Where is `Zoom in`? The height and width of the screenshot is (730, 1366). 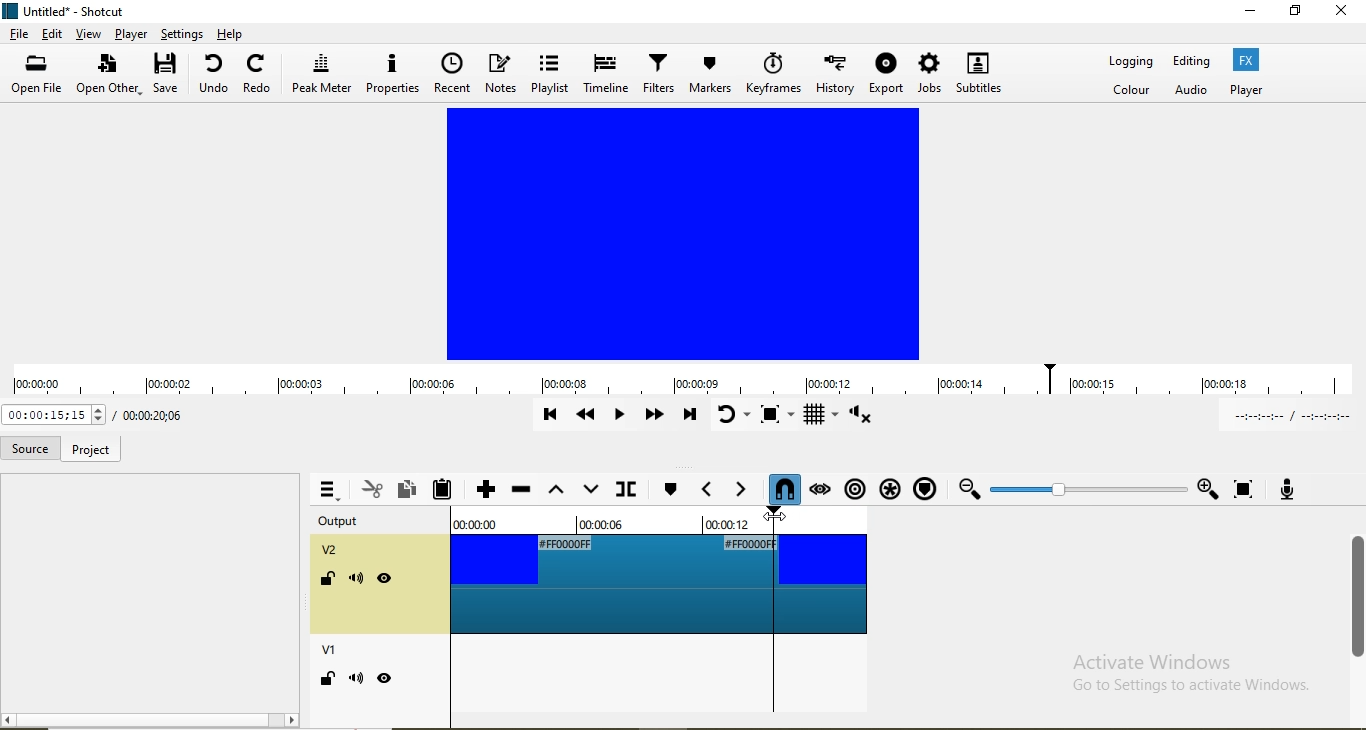
Zoom in is located at coordinates (1207, 489).